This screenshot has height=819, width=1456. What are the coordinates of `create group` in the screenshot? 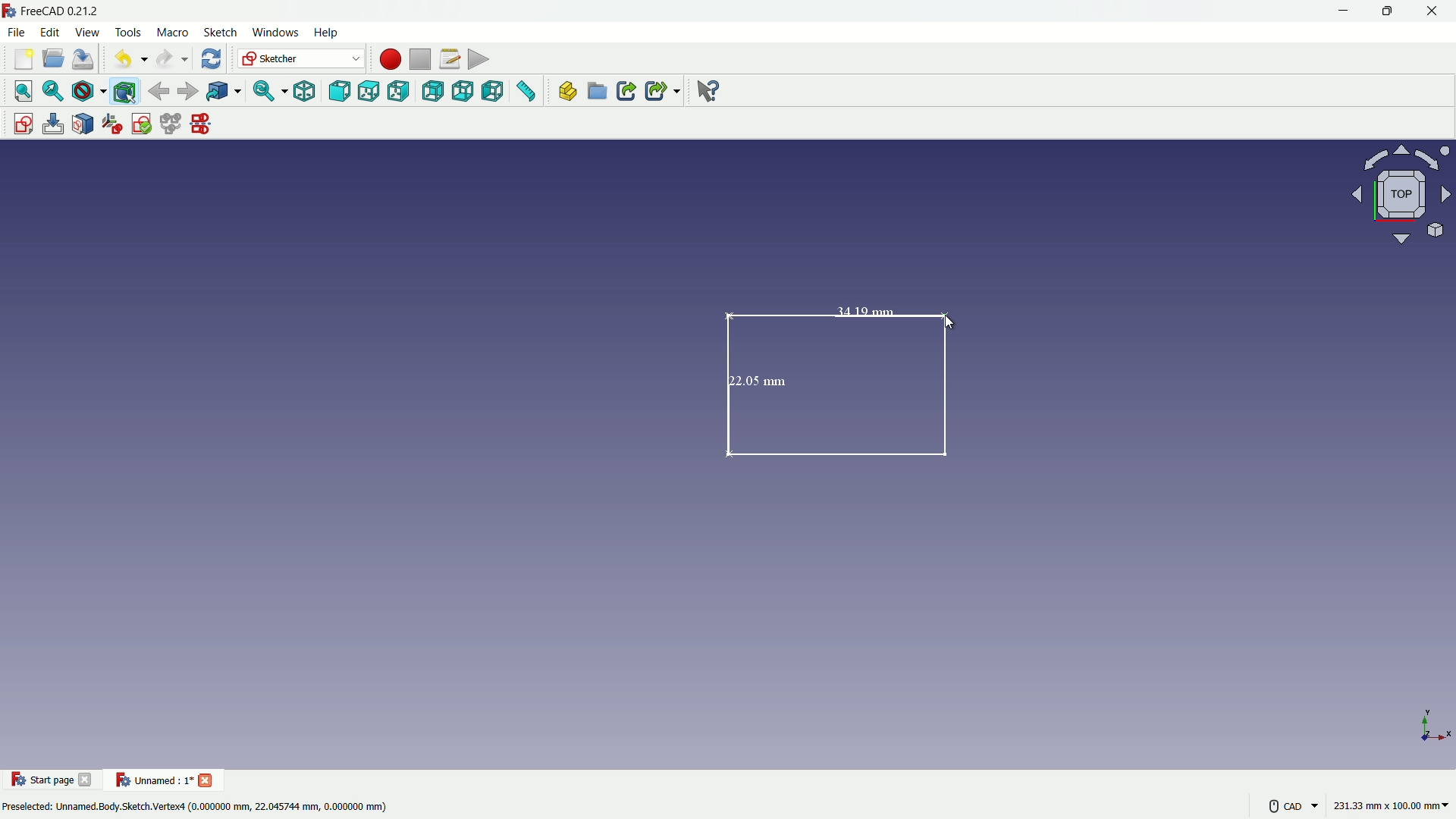 It's located at (598, 93).